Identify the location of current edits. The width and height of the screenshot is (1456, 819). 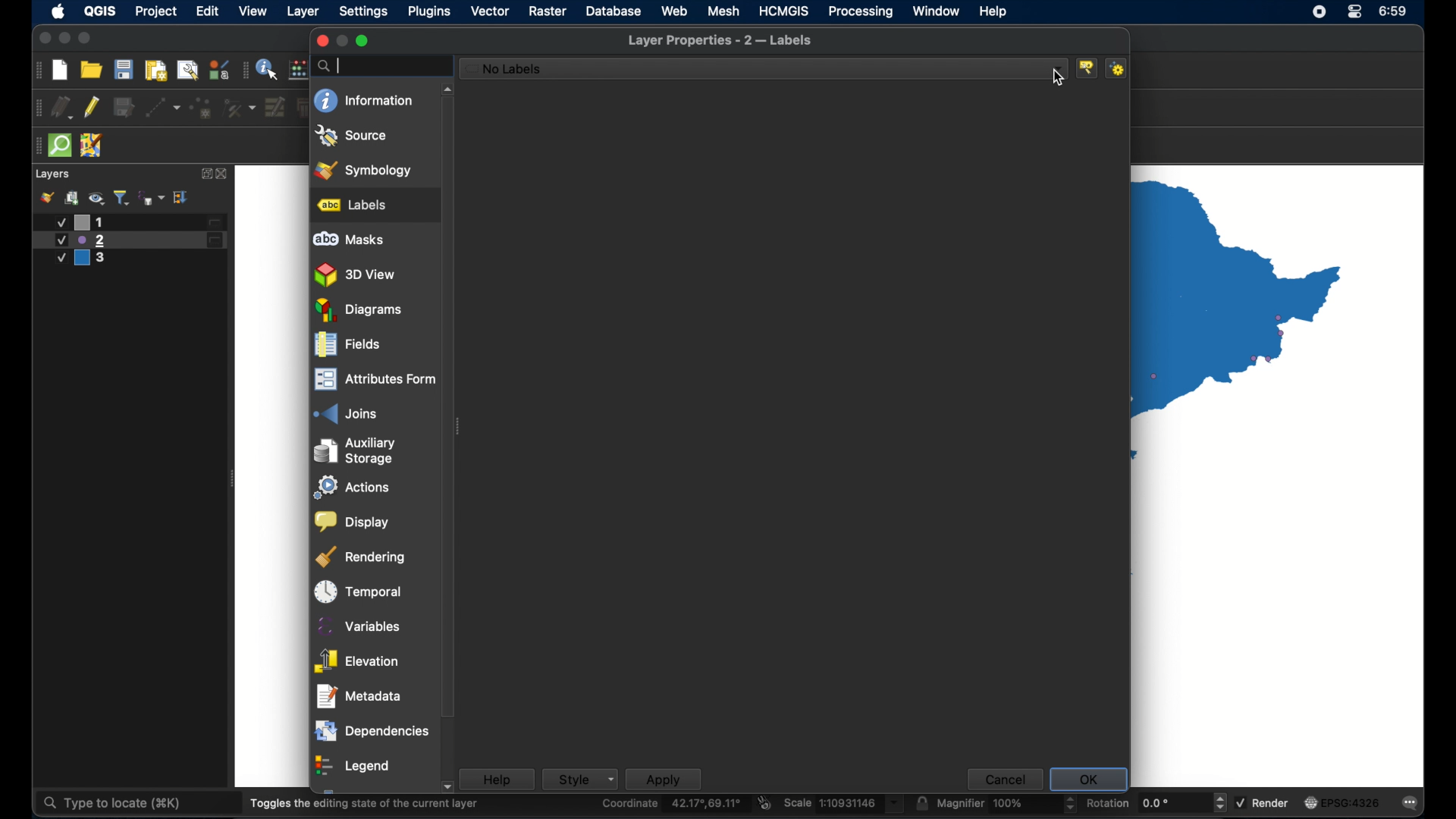
(61, 107).